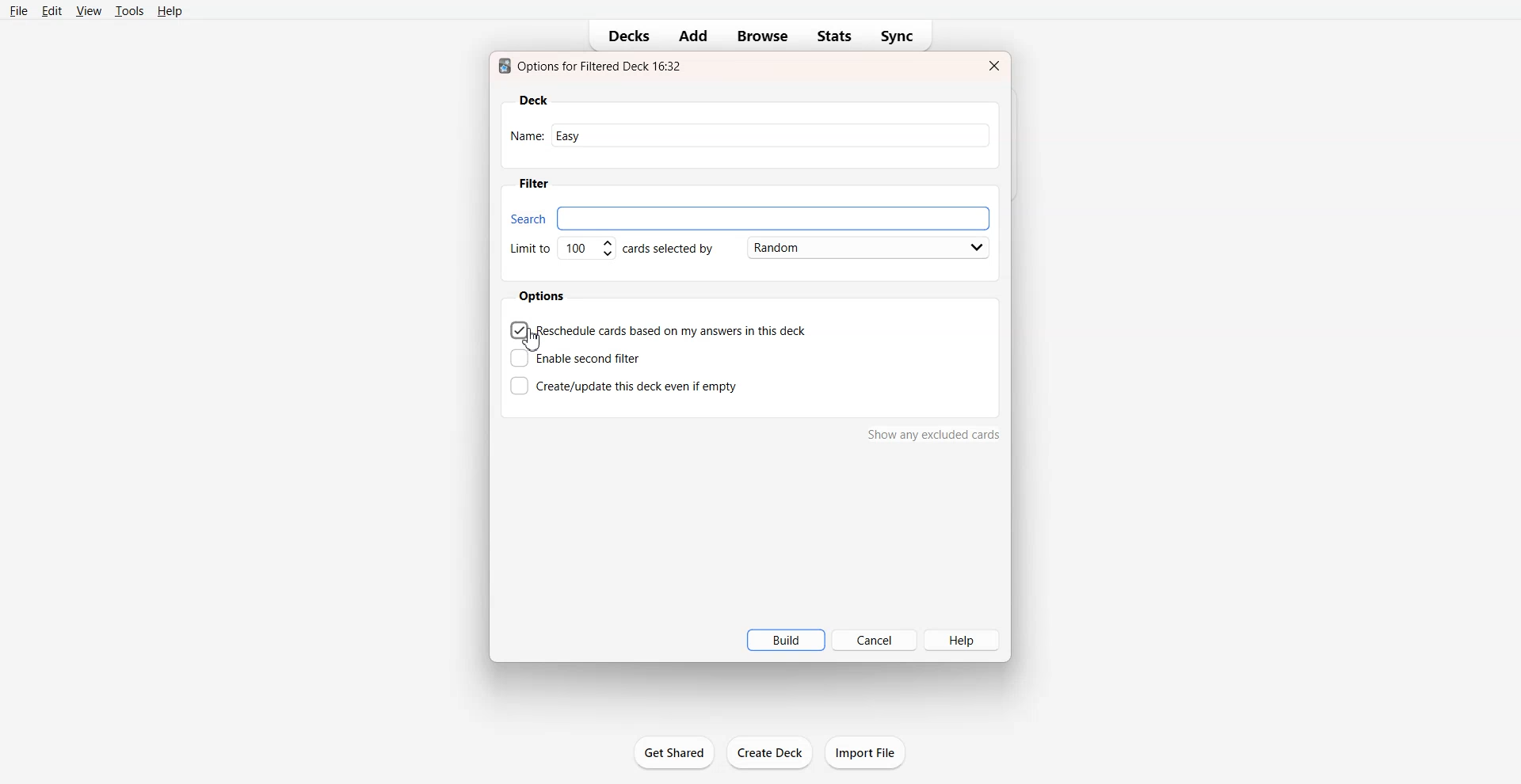  Describe the element at coordinates (871, 752) in the screenshot. I see `import file` at that location.